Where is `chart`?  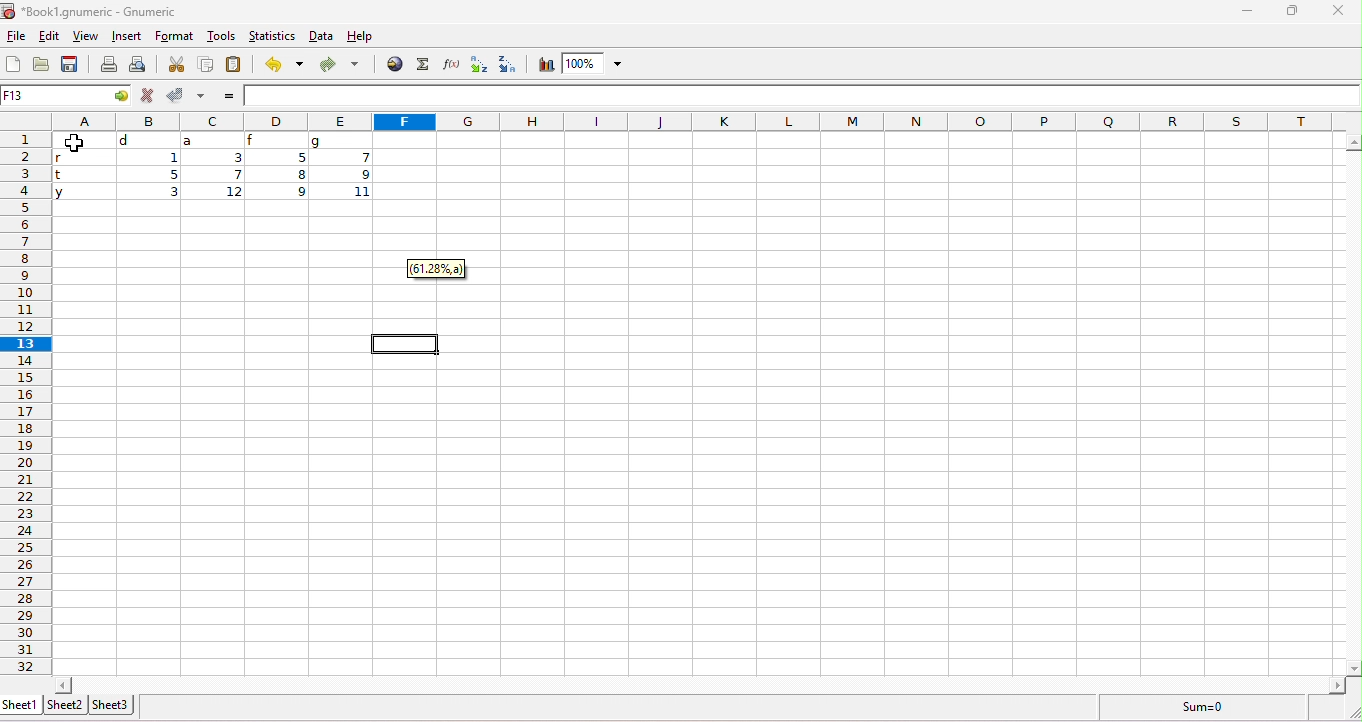
chart is located at coordinates (543, 64).